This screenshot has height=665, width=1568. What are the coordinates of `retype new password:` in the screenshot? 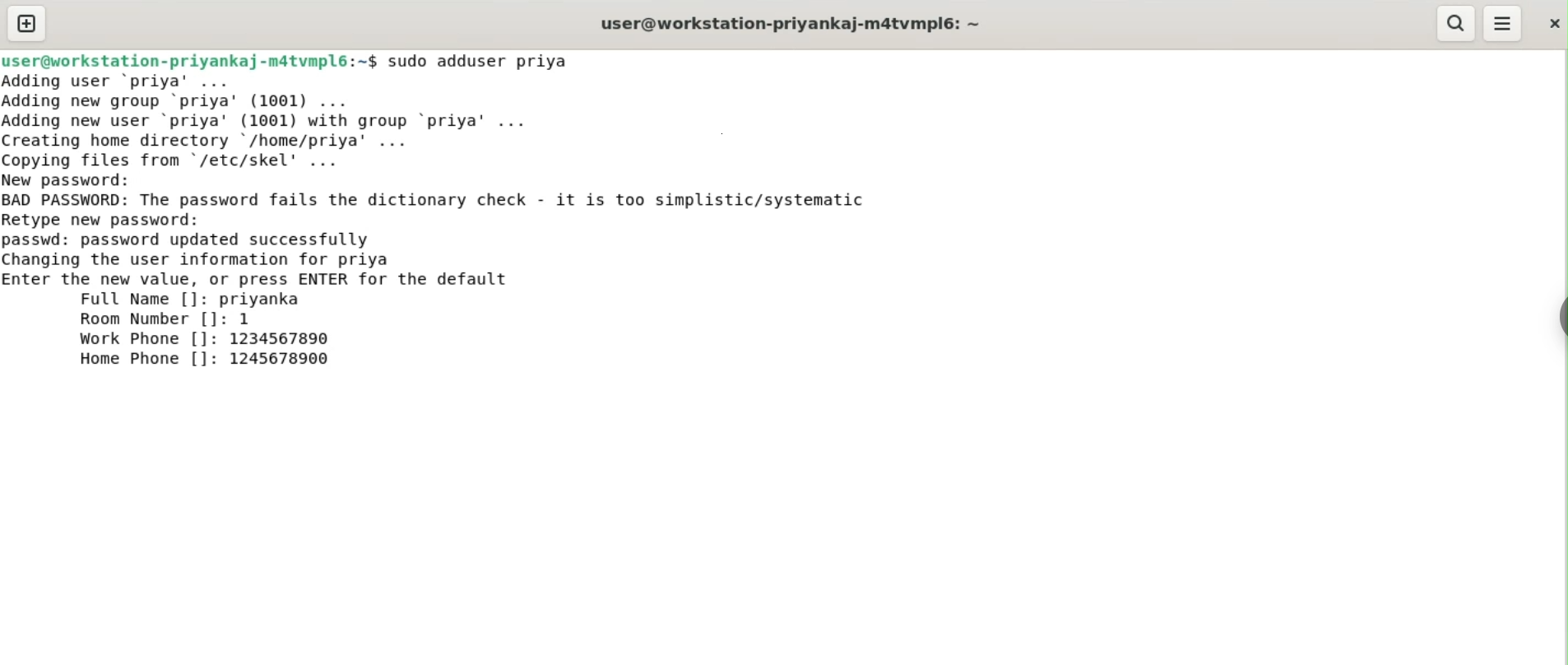 It's located at (114, 219).